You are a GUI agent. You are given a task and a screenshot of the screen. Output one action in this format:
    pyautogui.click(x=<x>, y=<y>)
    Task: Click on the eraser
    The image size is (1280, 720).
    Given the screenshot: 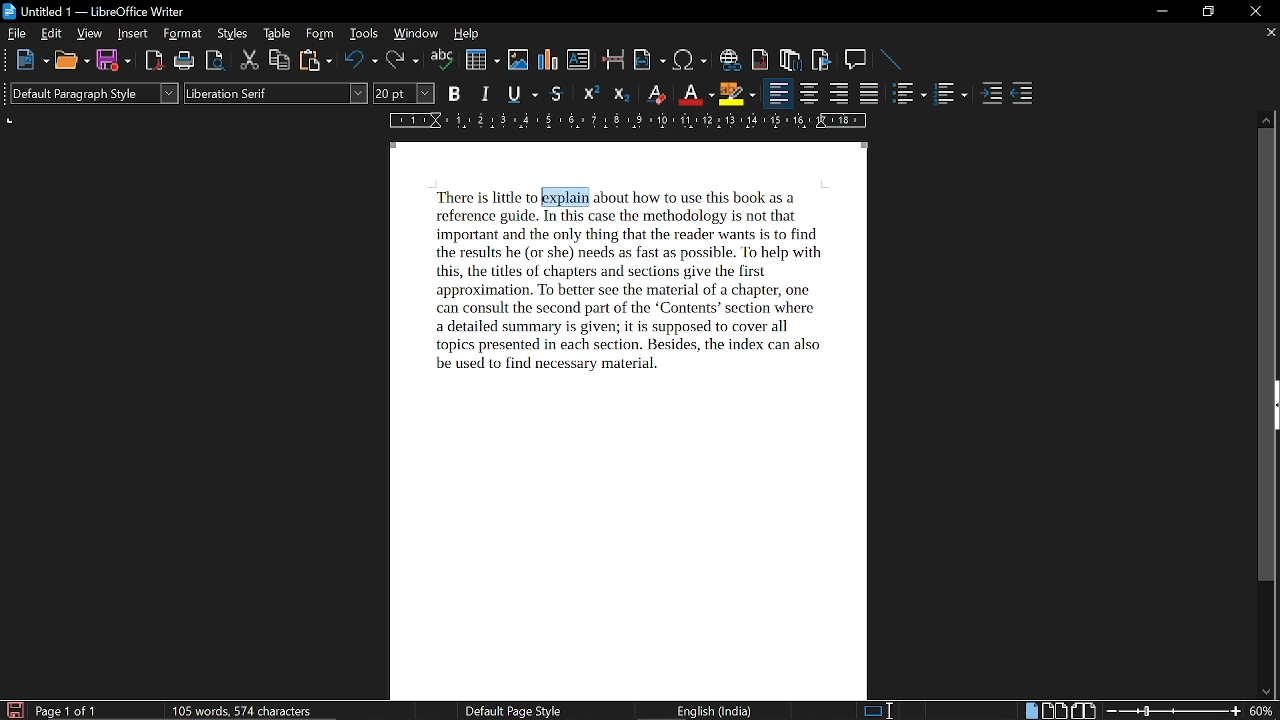 What is the action you would take?
    pyautogui.click(x=656, y=96)
    